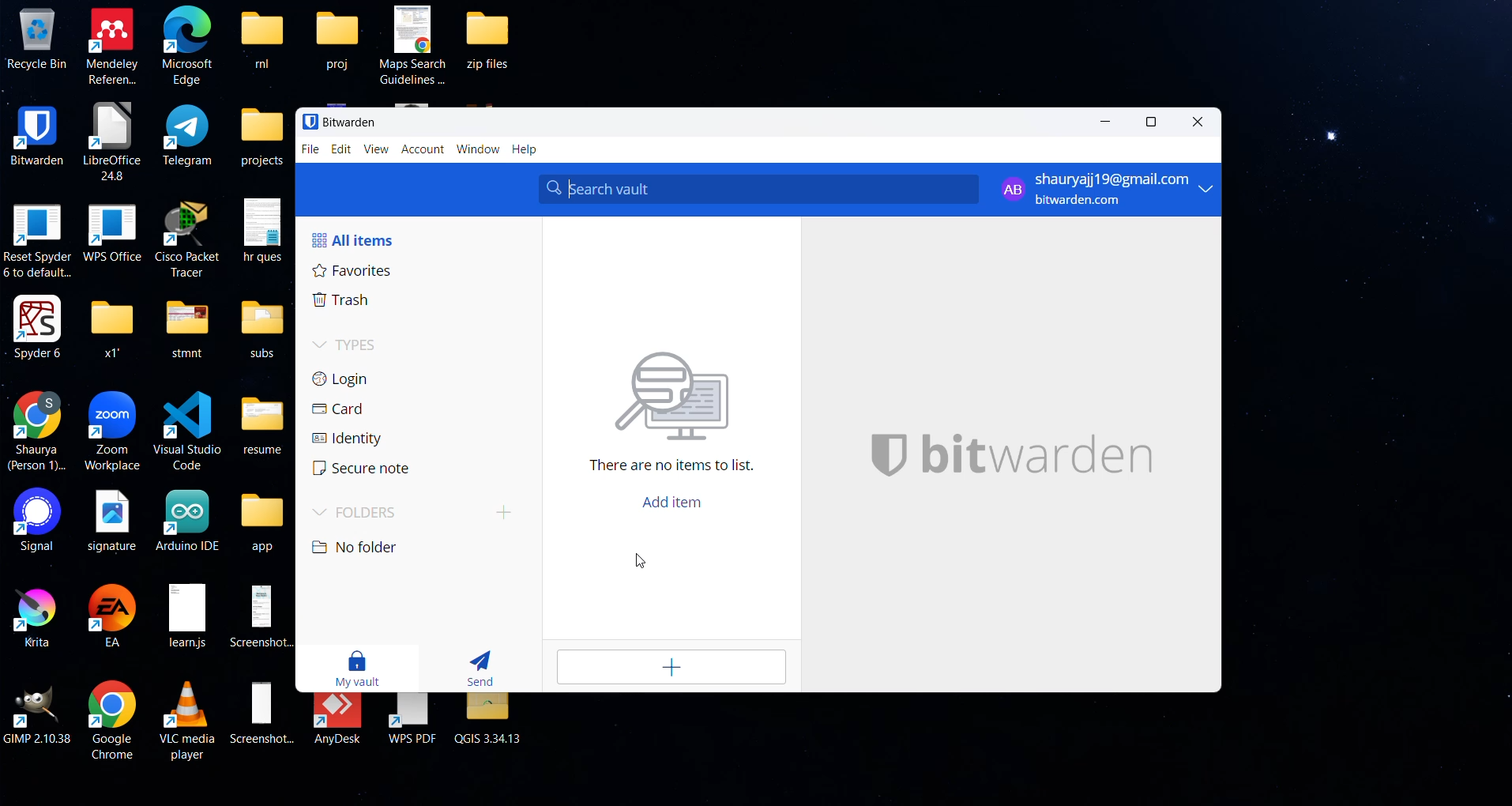 The height and width of the screenshot is (806, 1512). Describe the element at coordinates (643, 563) in the screenshot. I see `cursor` at that location.